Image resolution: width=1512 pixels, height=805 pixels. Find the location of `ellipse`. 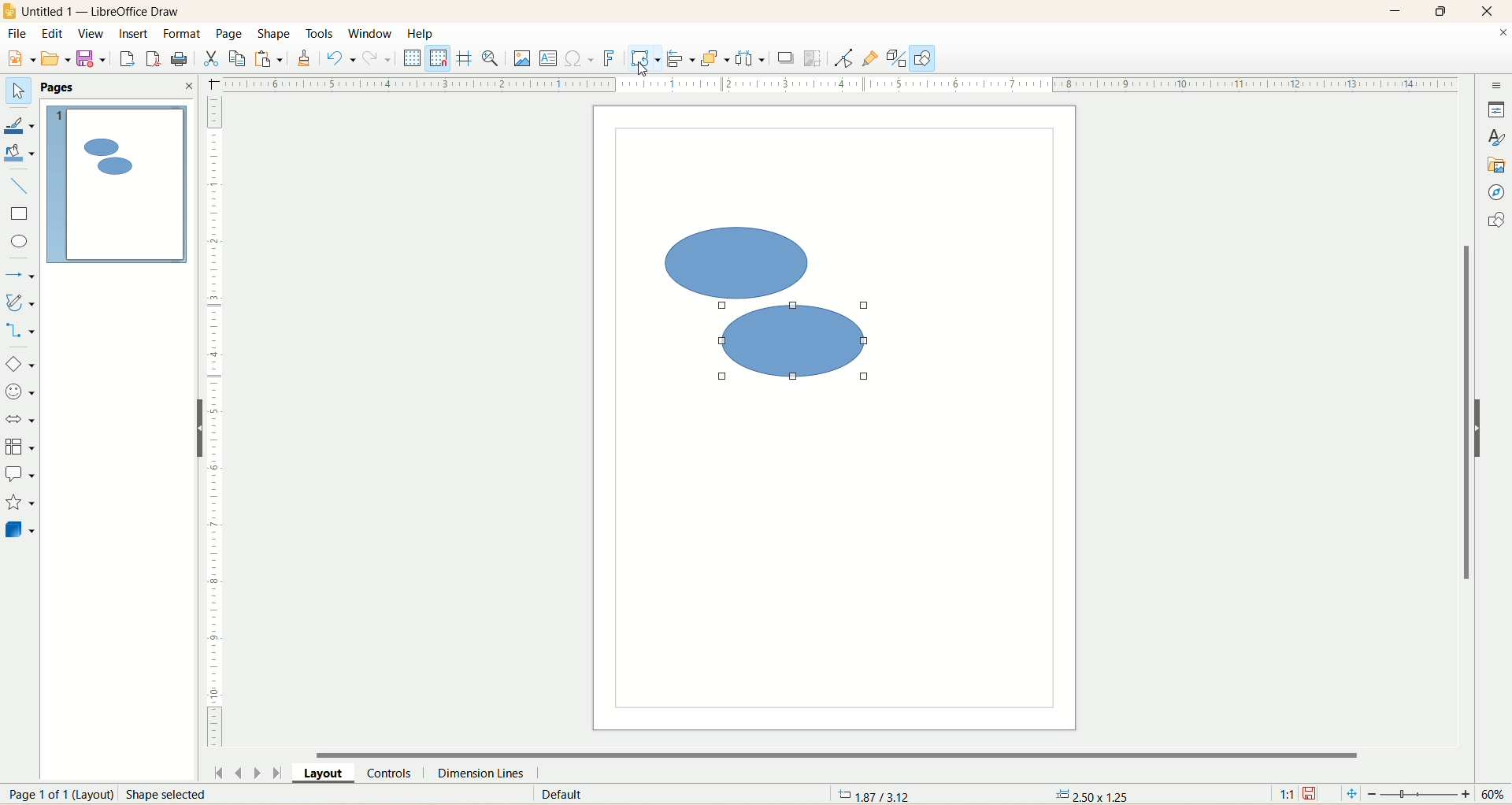

ellipse is located at coordinates (19, 240).